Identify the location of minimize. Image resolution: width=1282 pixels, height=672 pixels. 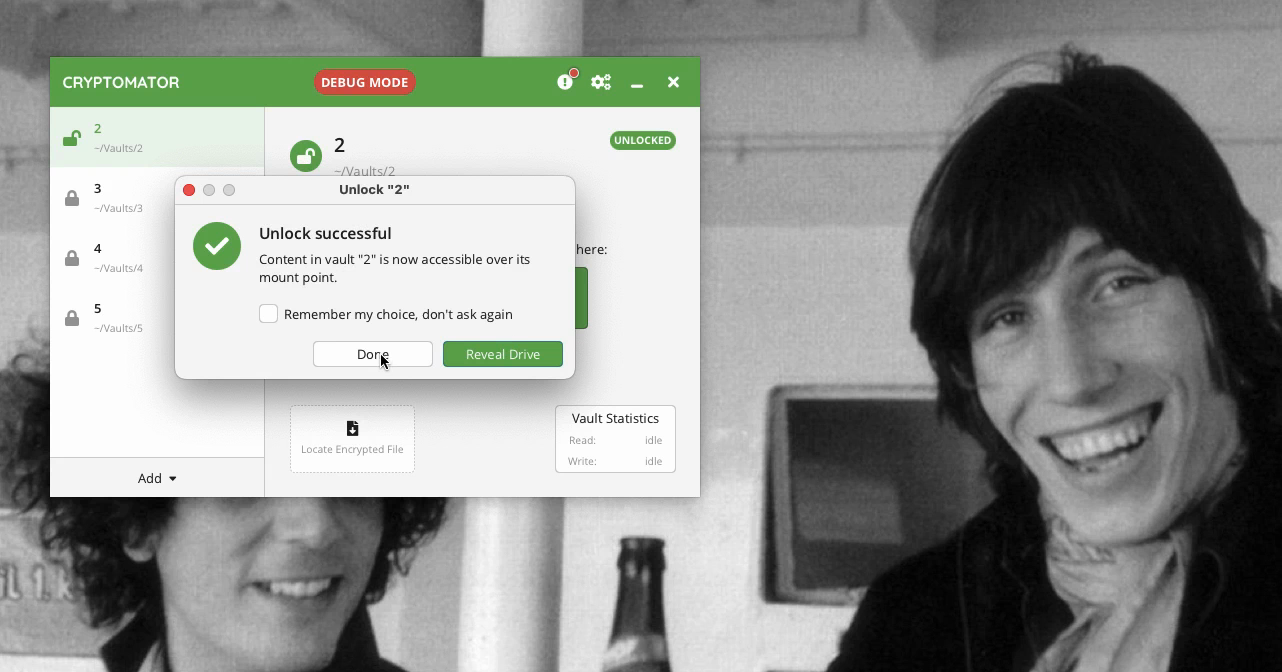
(209, 189).